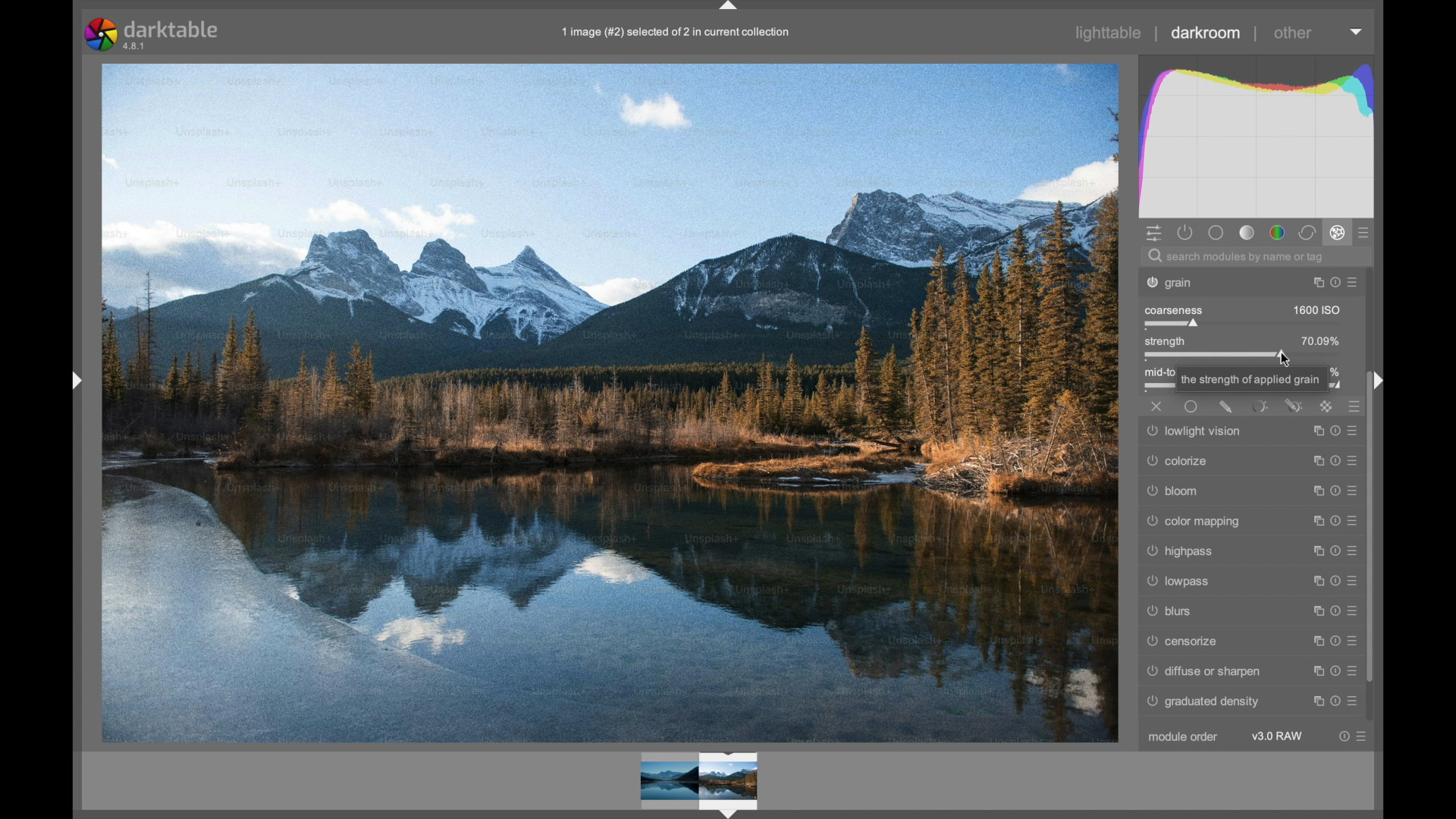 Image resolution: width=1456 pixels, height=819 pixels. I want to click on instance, so click(1314, 582).